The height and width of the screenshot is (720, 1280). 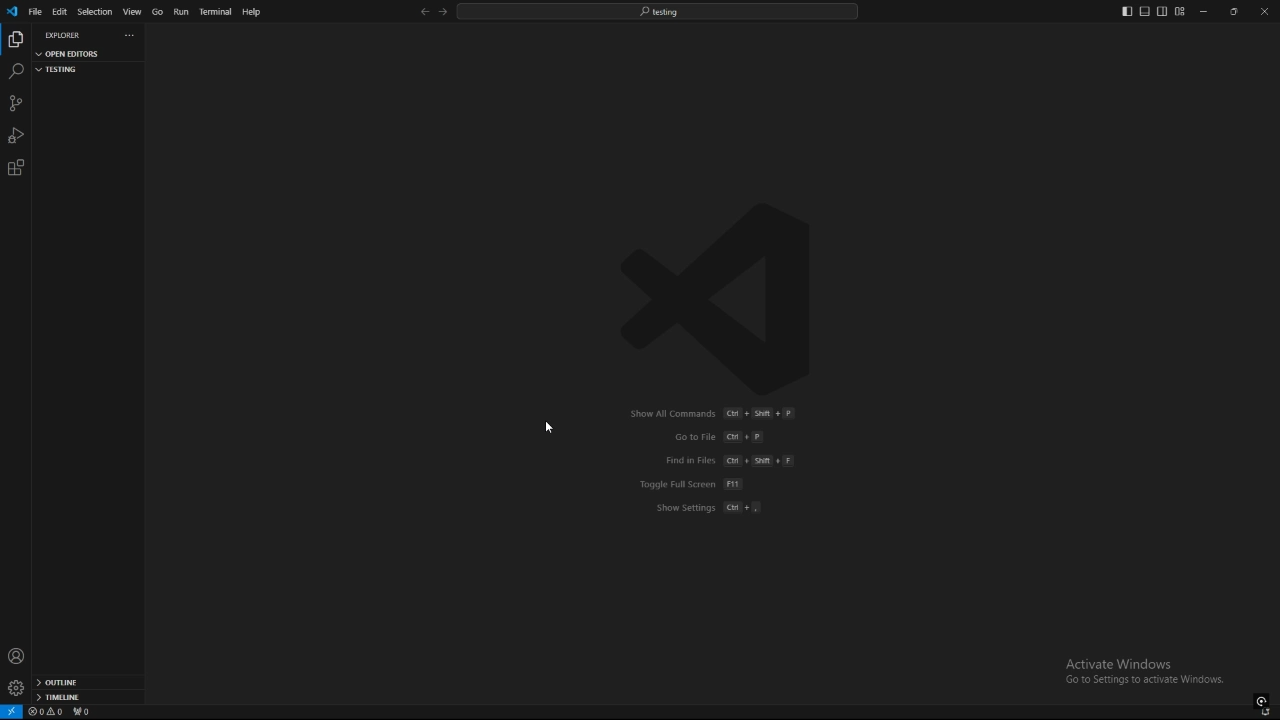 I want to click on explorer, so click(x=64, y=35).